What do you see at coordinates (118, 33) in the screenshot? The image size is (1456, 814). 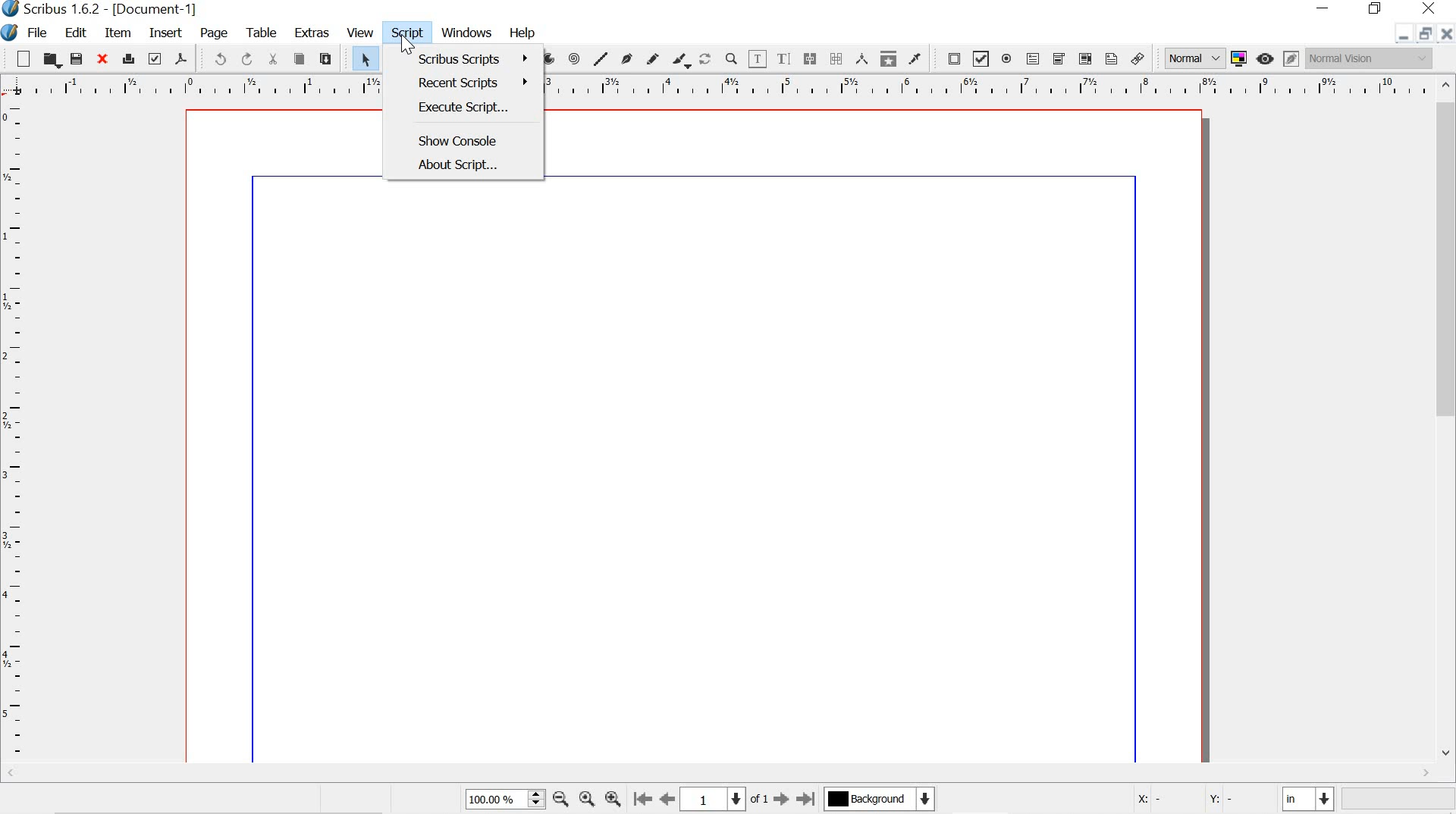 I see `item` at bounding box center [118, 33].